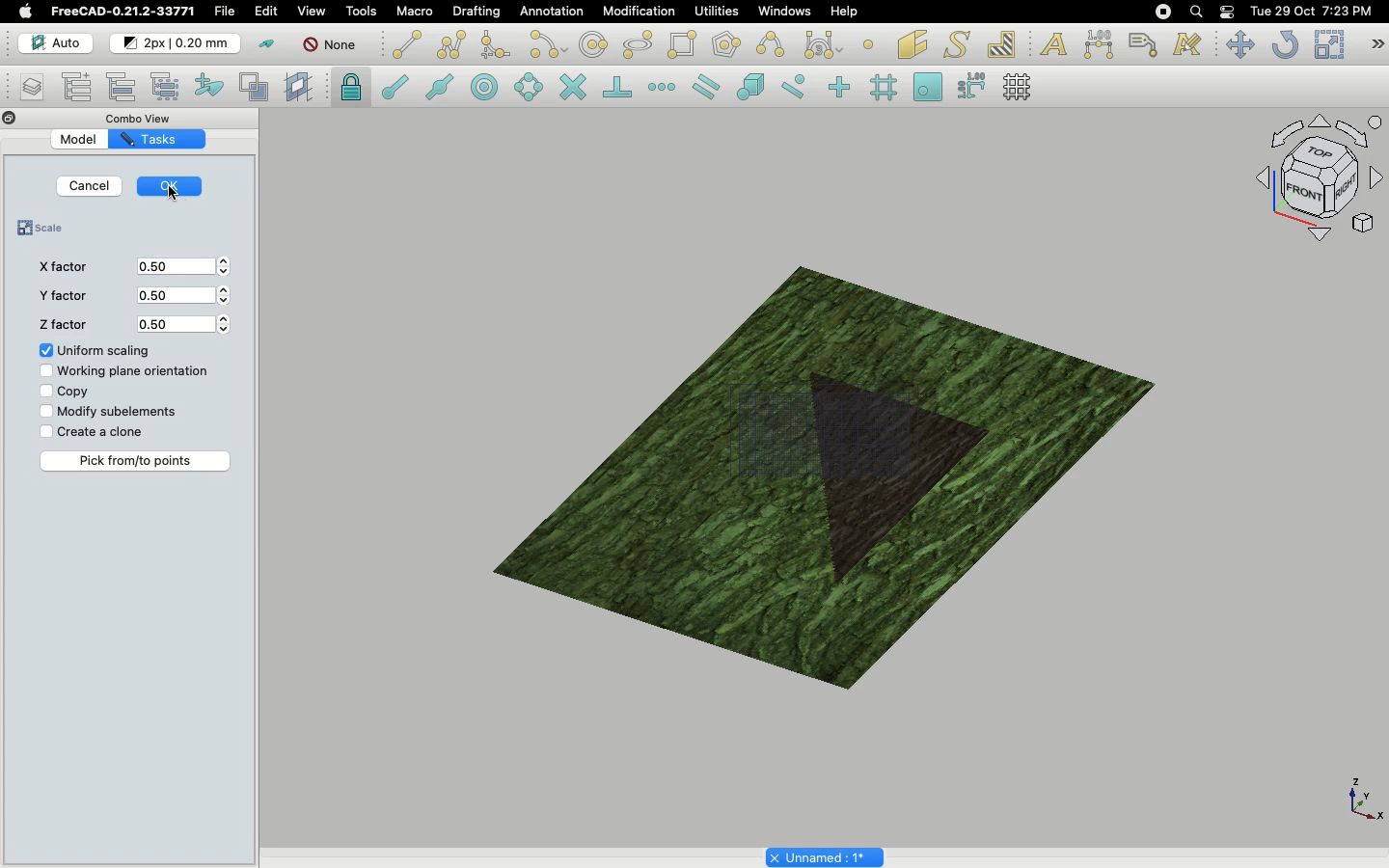  I want to click on Snap lock, so click(351, 87).